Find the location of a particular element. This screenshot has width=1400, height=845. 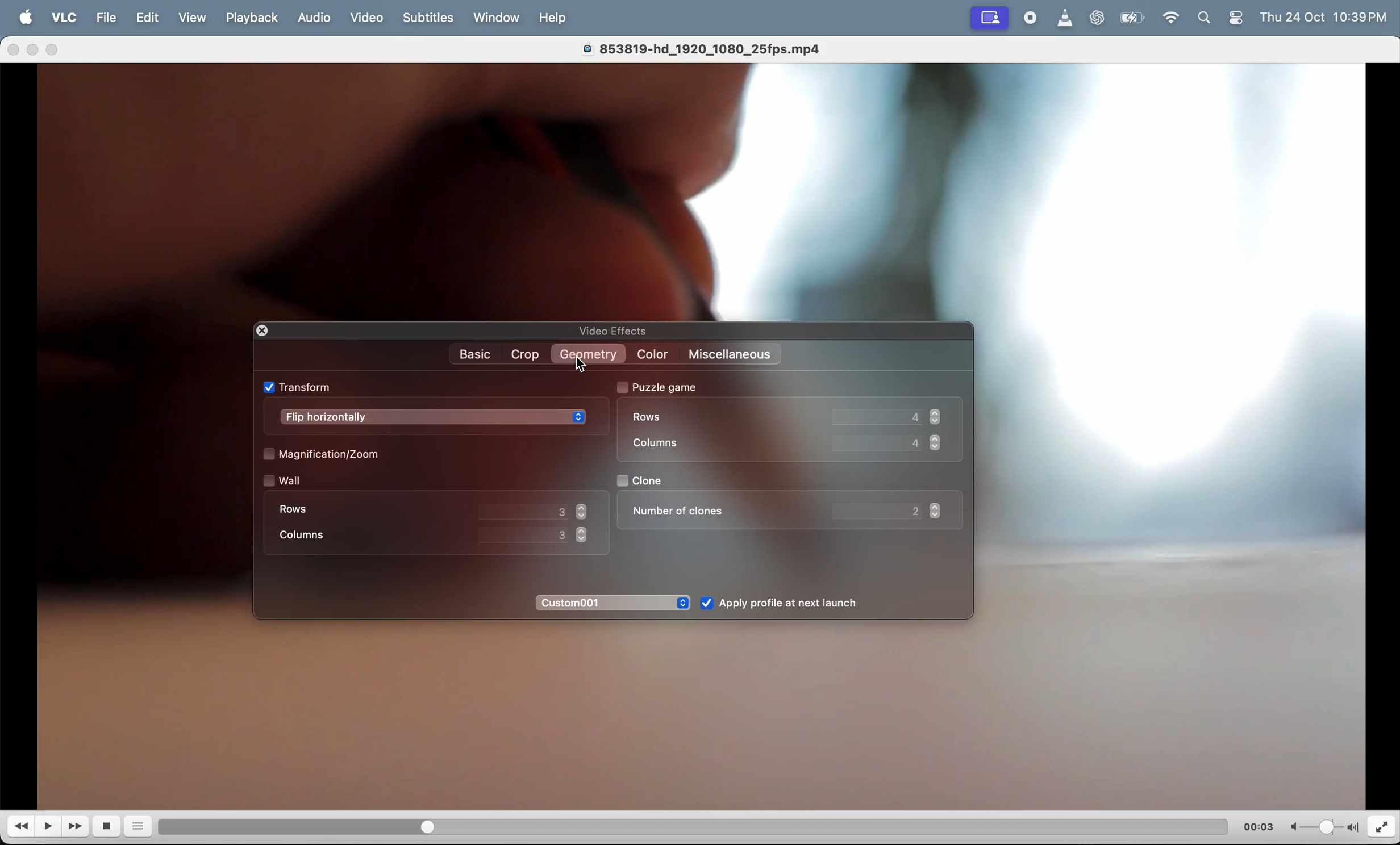

clone is located at coordinates (651, 482).